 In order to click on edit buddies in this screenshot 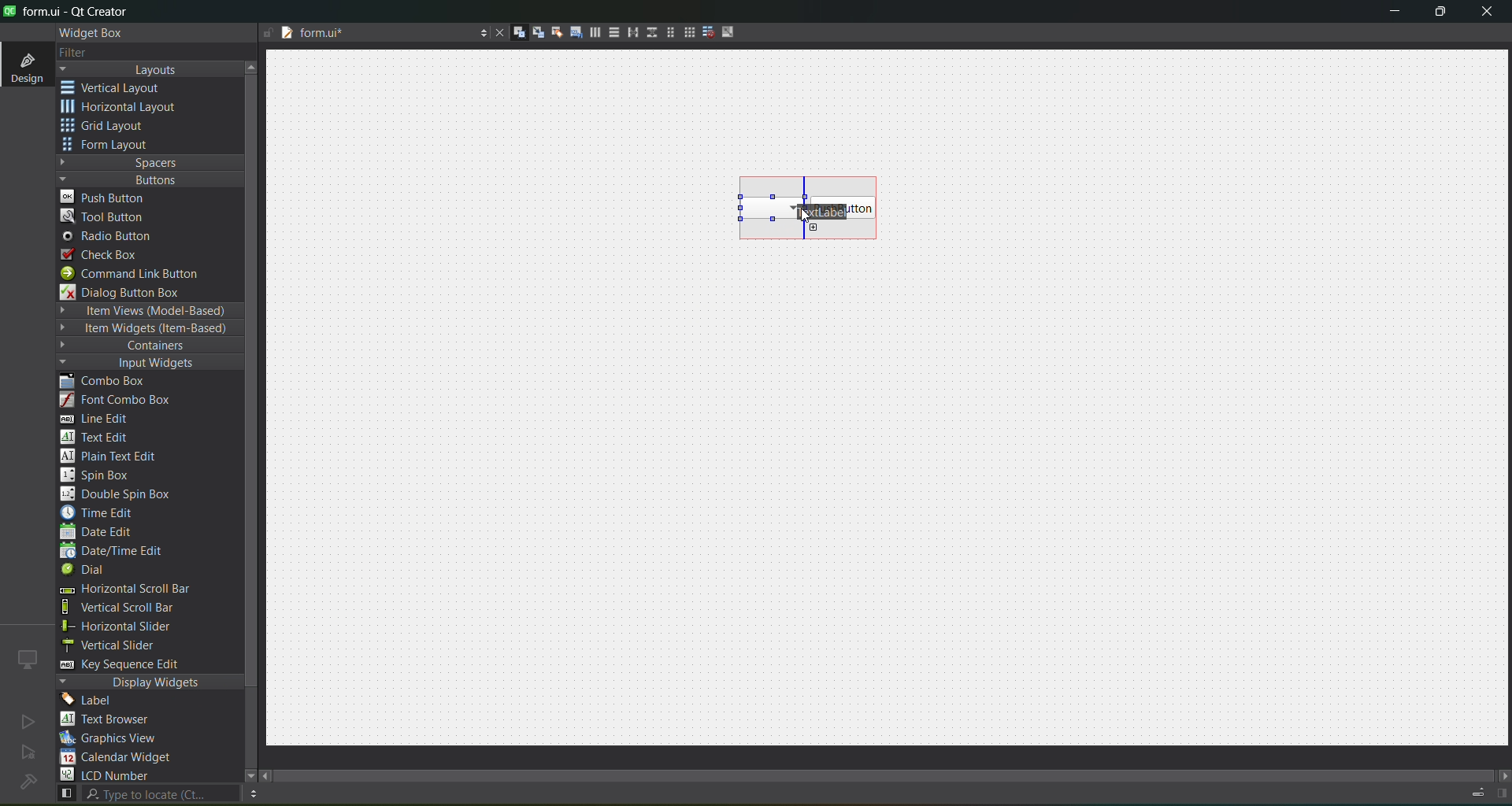, I will do `click(551, 32)`.